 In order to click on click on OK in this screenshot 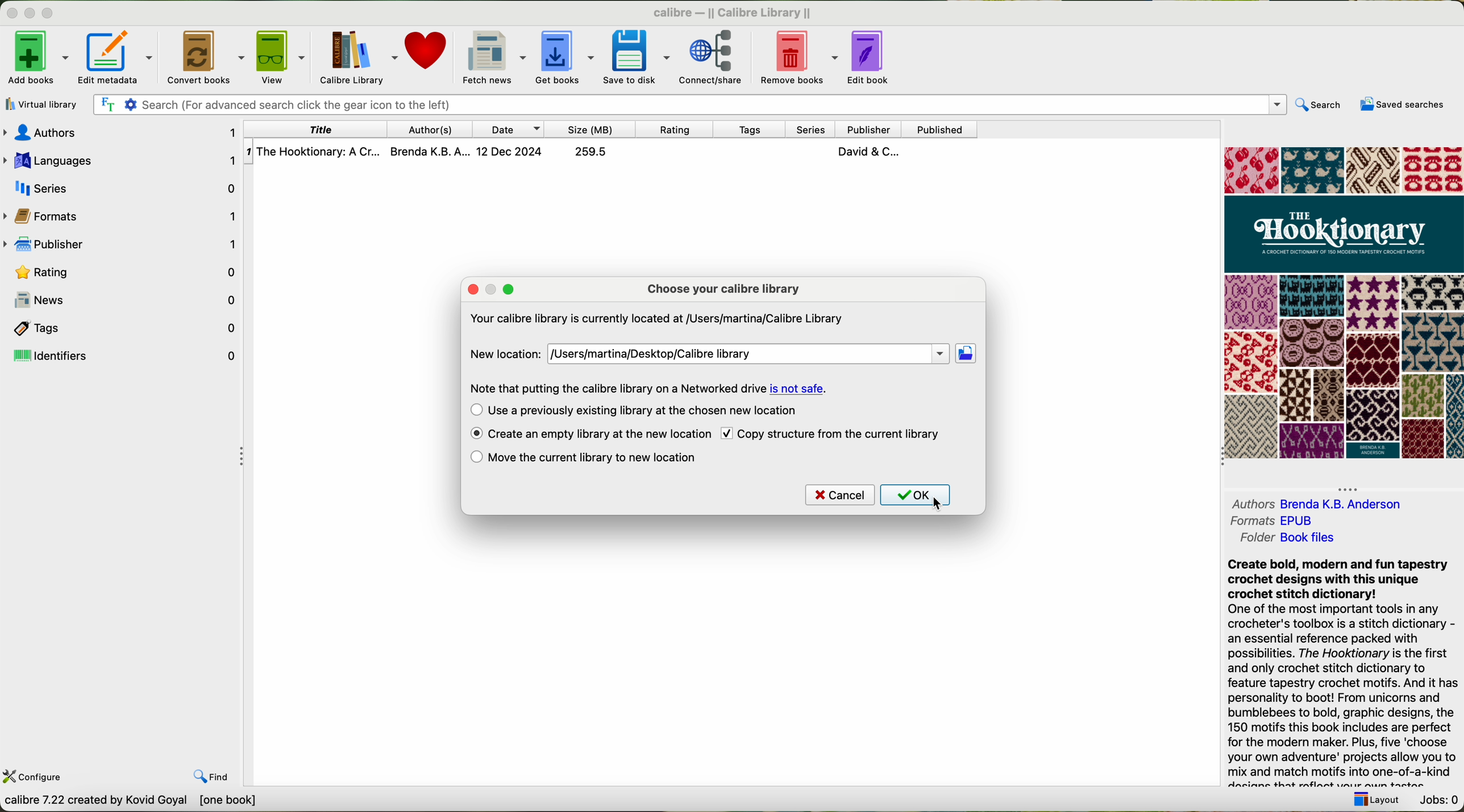, I will do `click(921, 498)`.